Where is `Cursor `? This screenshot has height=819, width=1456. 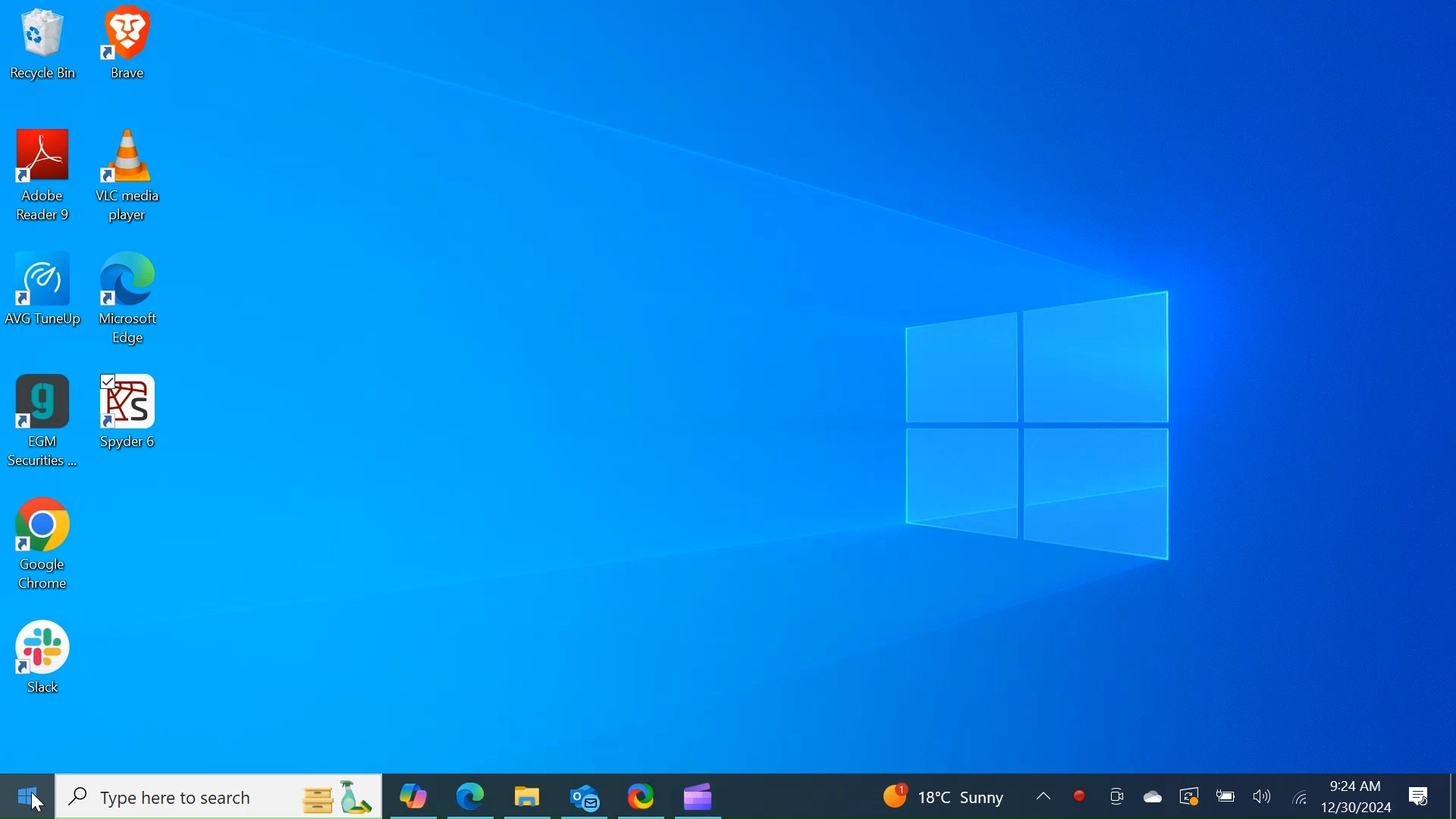 Cursor  is located at coordinates (38, 802).